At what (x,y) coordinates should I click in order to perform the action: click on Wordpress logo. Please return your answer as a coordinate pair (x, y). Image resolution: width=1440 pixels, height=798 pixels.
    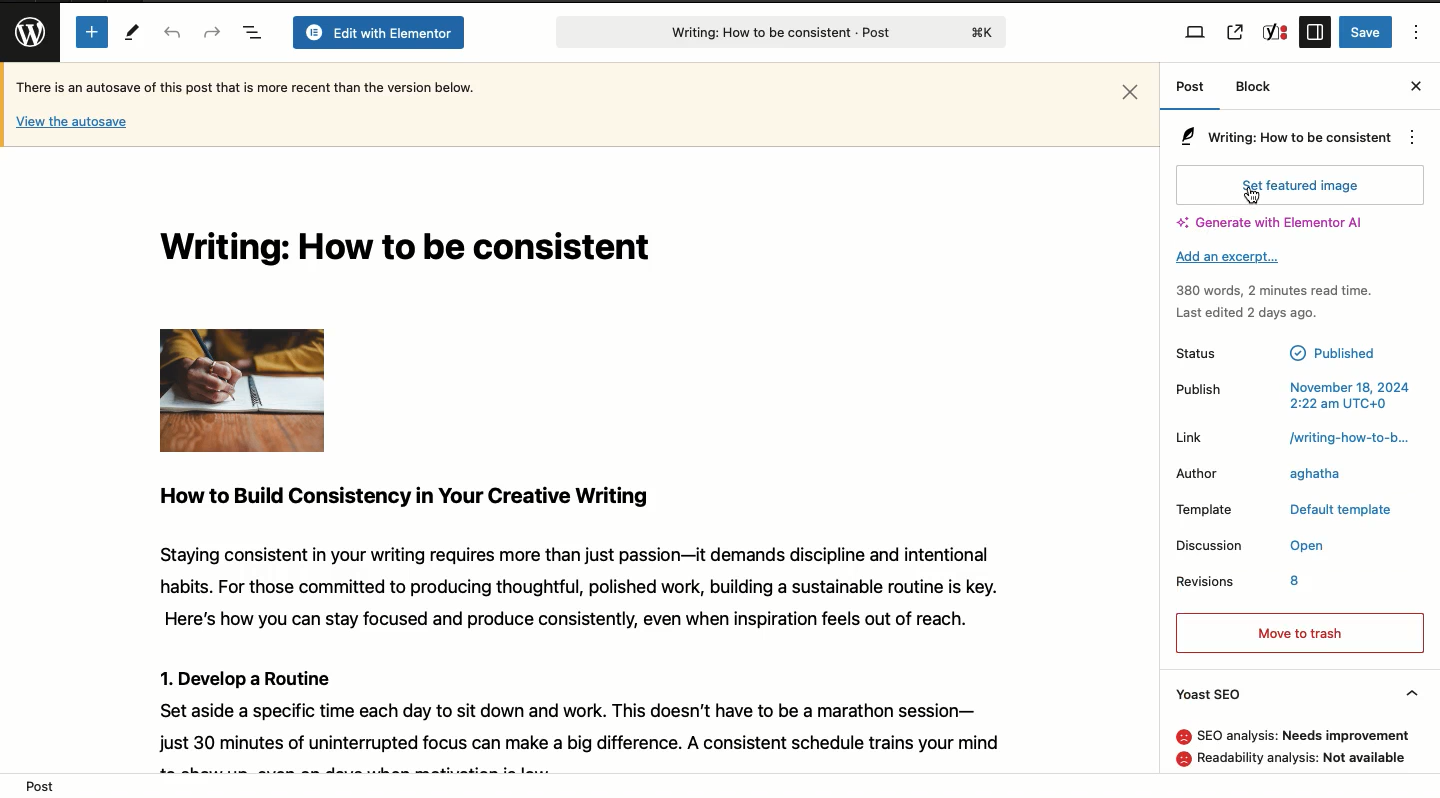
    Looking at the image, I should click on (25, 32).